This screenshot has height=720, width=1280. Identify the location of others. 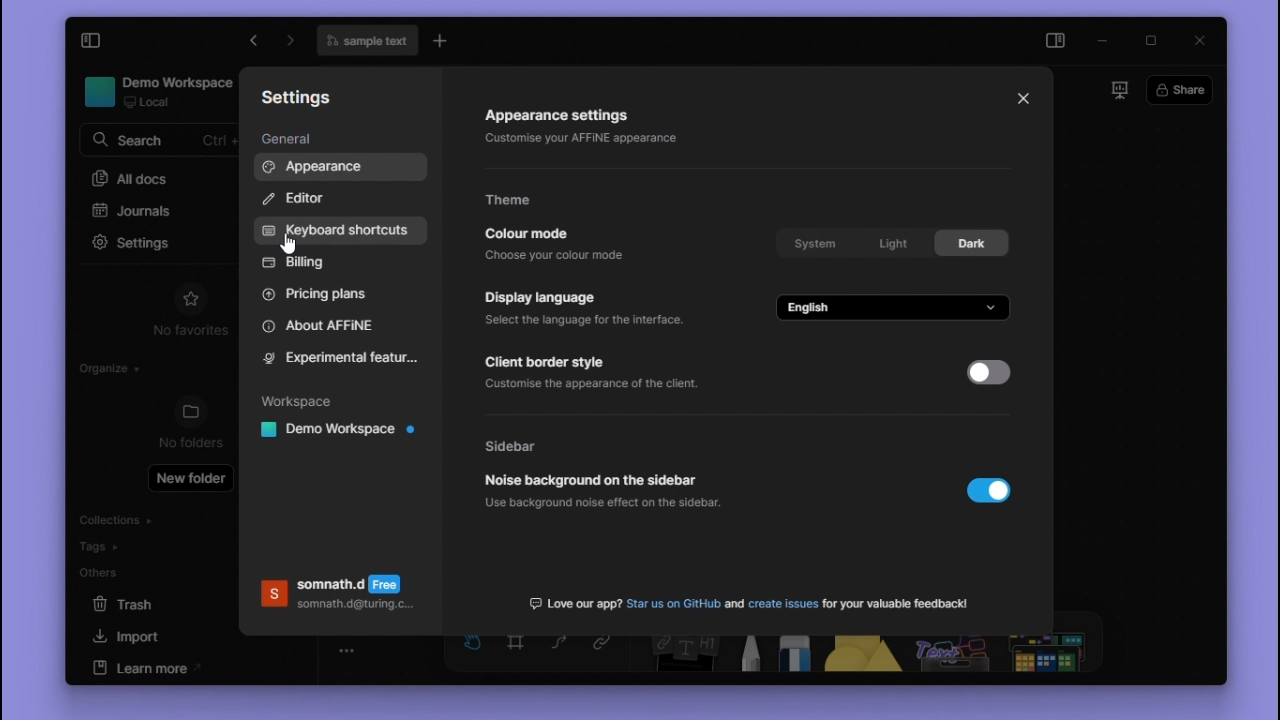
(119, 573).